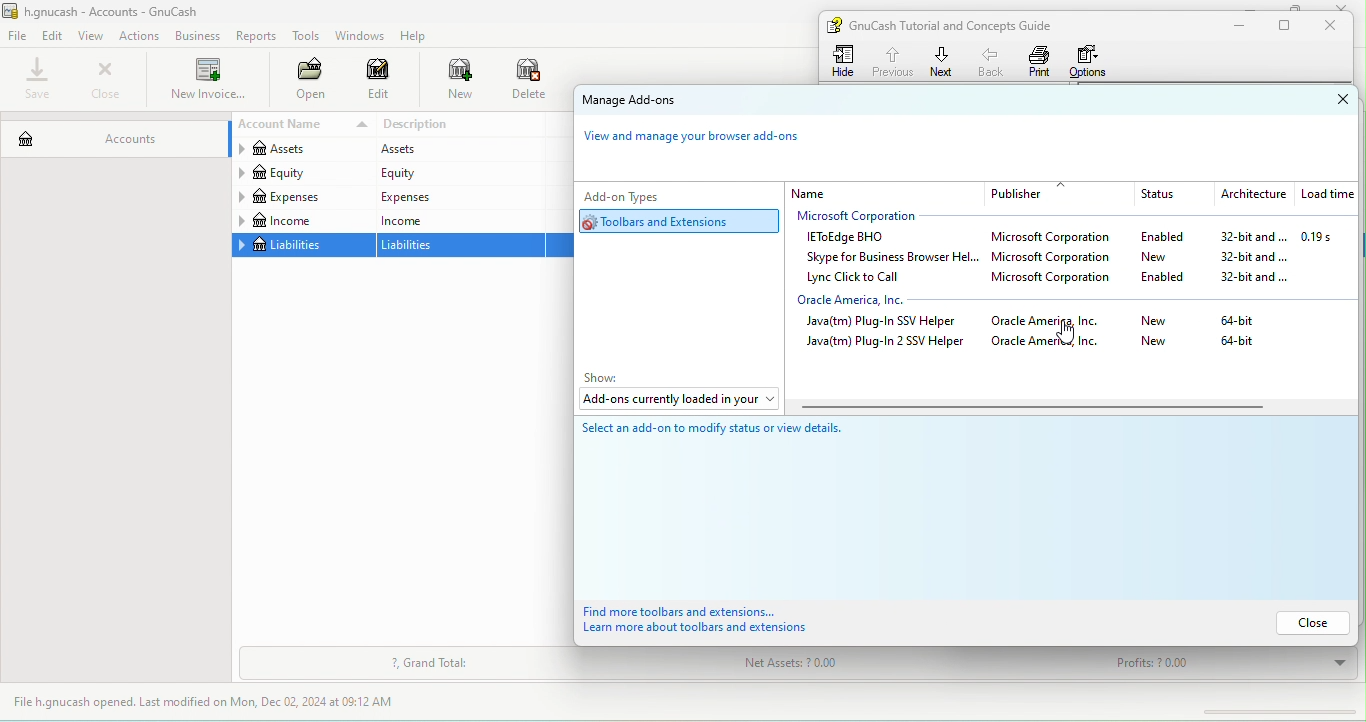  What do you see at coordinates (719, 621) in the screenshot?
I see `find more toolbars and extensions learn more about toolbars and extensions` at bounding box center [719, 621].